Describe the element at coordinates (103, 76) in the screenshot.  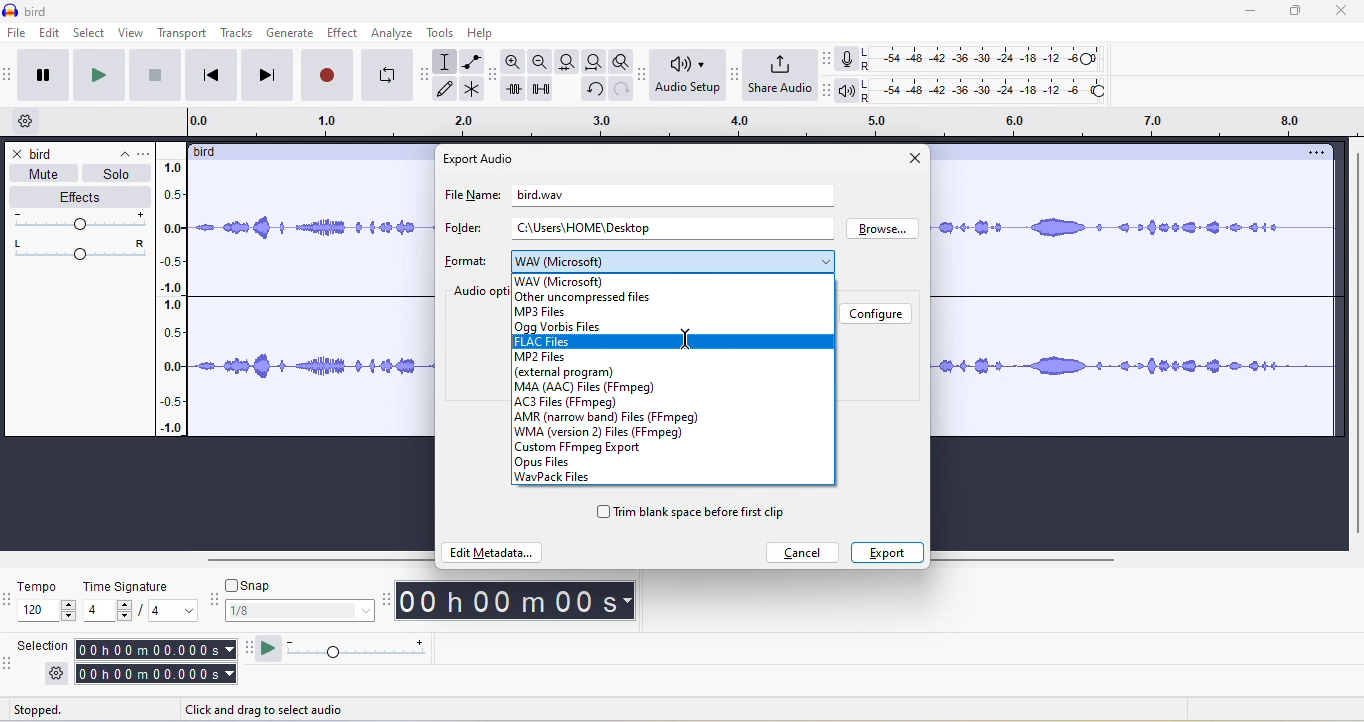
I see `play` at that location.